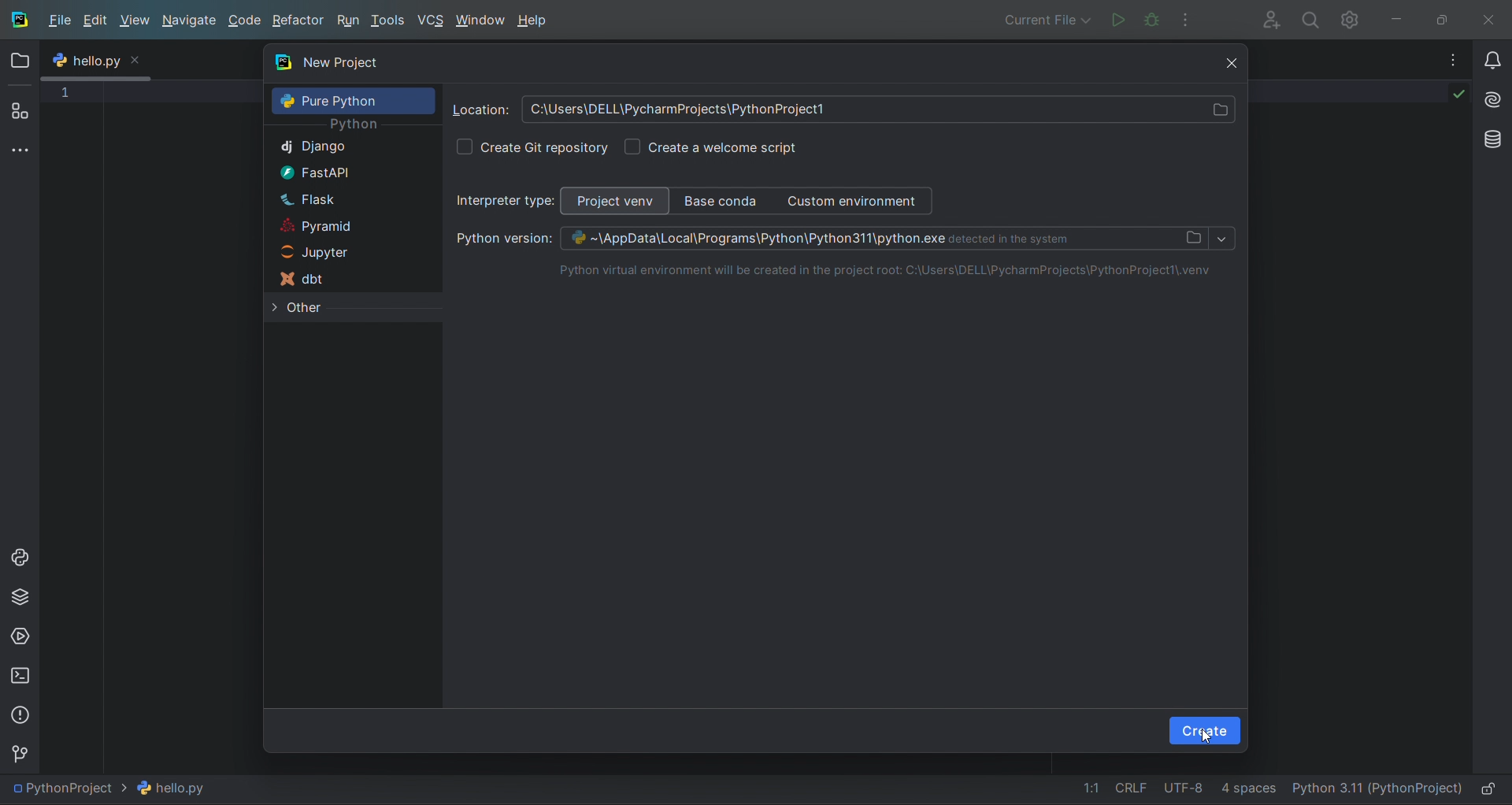  I want to click on pure python, so click(354, 100).